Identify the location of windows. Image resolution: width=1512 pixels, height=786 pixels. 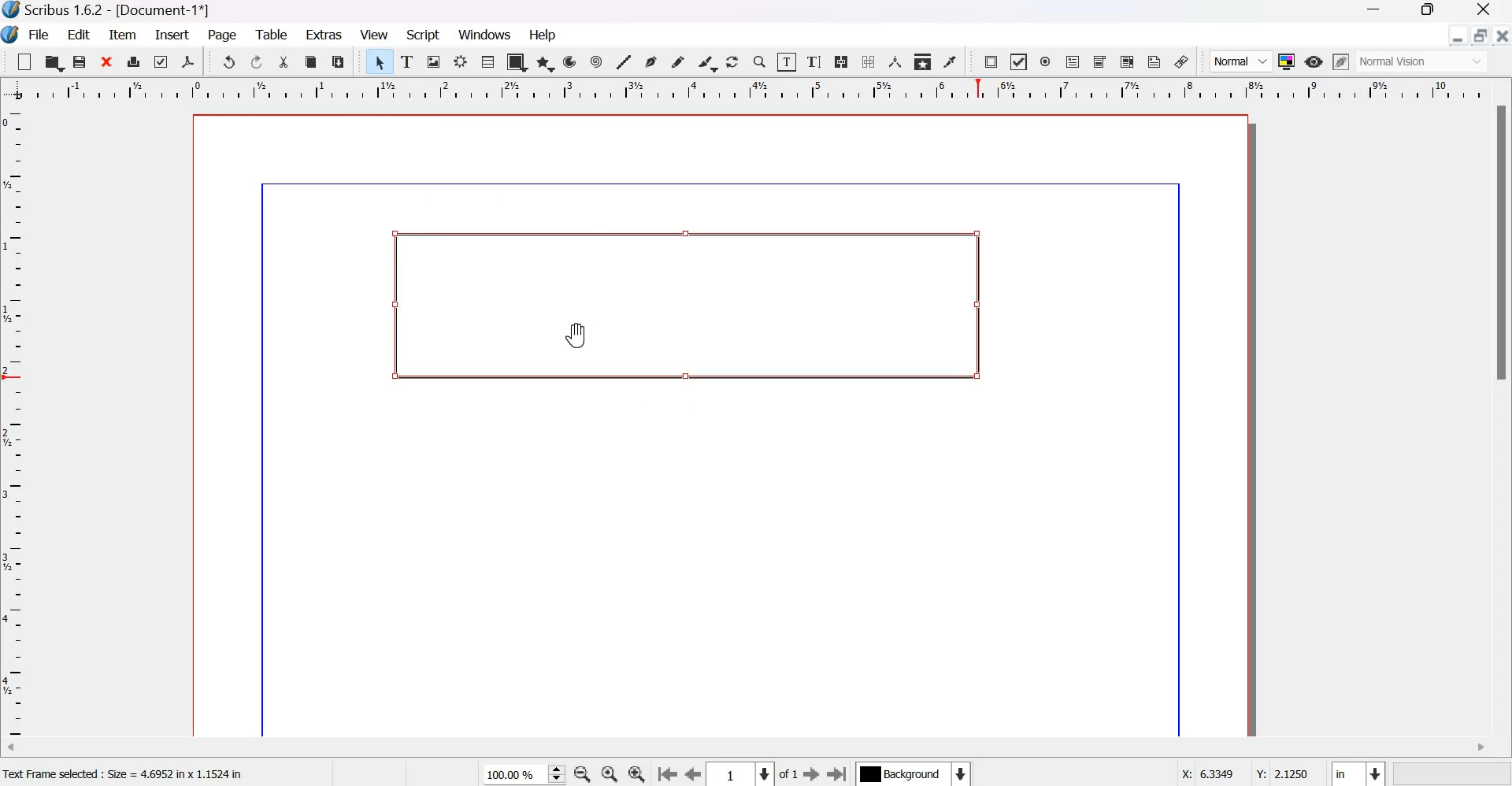
(487, 35).